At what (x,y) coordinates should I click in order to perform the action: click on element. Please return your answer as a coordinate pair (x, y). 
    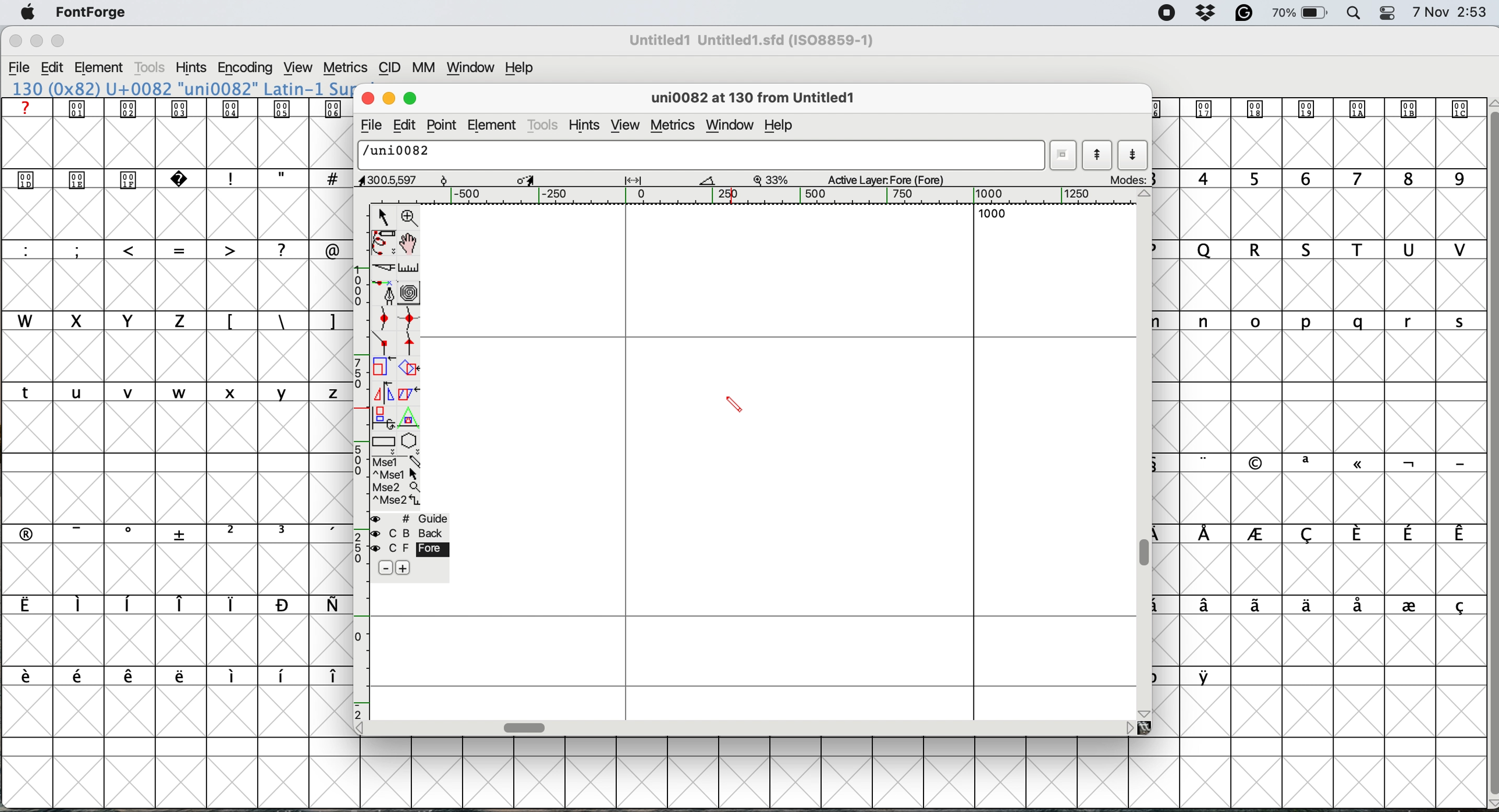
    Looking at the image, I should click on (493, 126).